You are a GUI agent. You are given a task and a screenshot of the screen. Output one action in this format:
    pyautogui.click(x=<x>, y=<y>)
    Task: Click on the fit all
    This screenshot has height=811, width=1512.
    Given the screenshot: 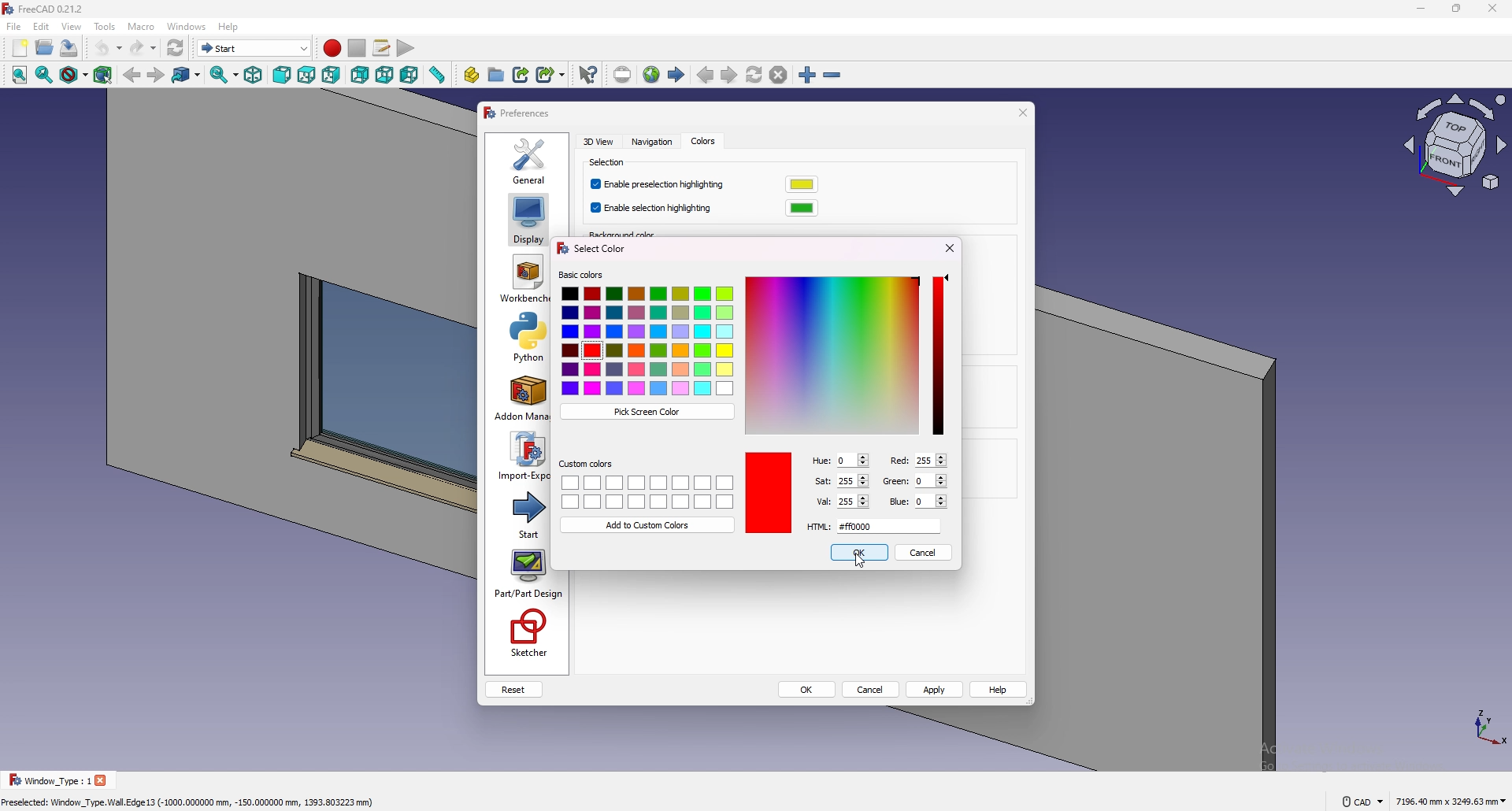 What is the action you would take?
    pyautogui.click(x=17, y=76)
    